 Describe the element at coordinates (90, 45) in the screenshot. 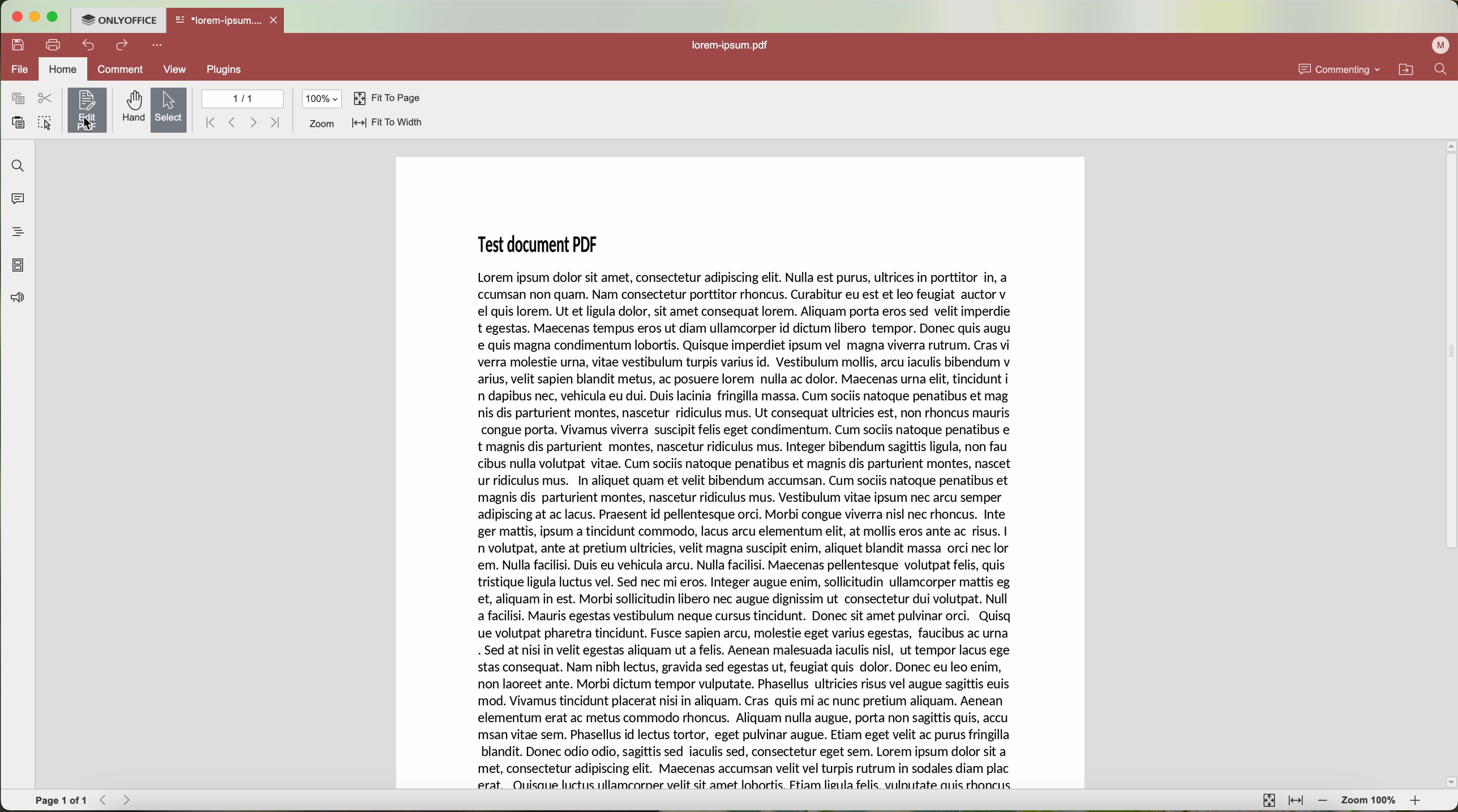

I see `undo` at that location.